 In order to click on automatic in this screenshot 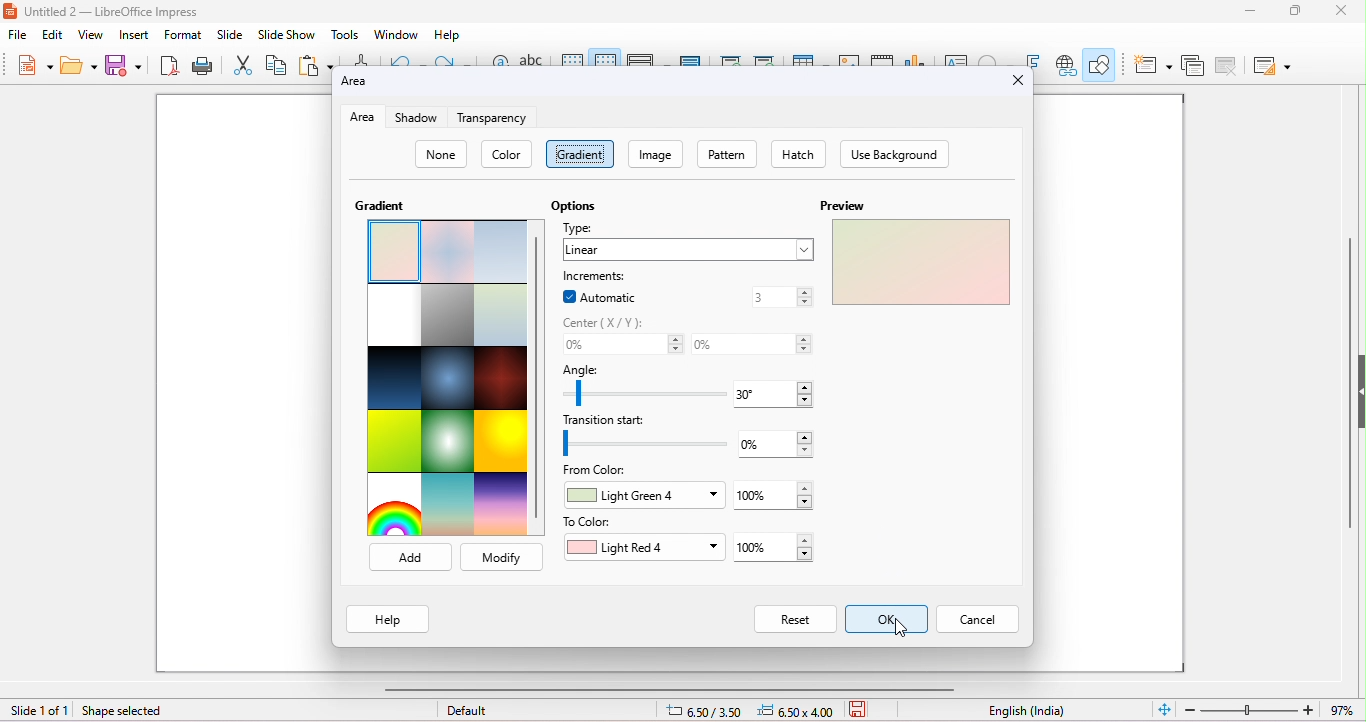, I will do `click(604, 297)`.